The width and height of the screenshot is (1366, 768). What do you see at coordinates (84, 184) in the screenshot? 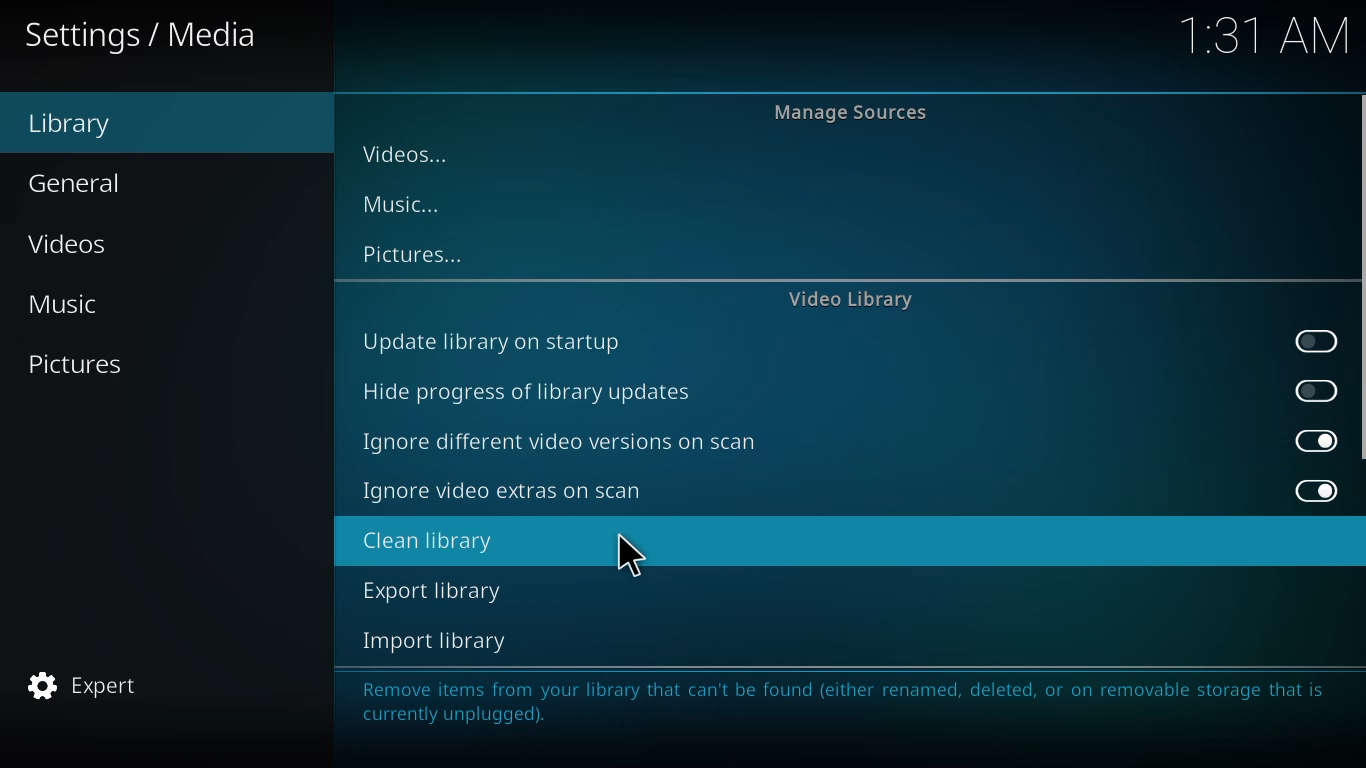
I see `General` at bounding box center [84, 184].